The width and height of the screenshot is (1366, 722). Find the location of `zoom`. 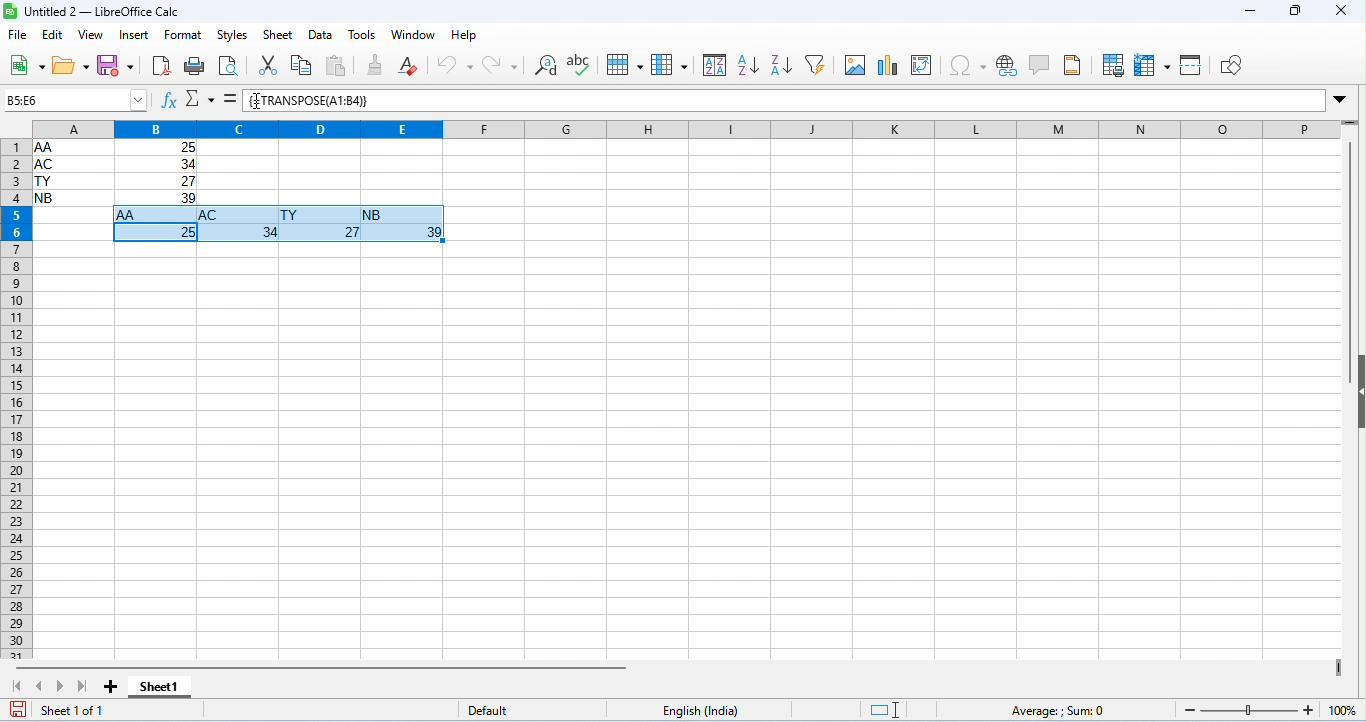

zoom is located at coordinates (1264, 709).